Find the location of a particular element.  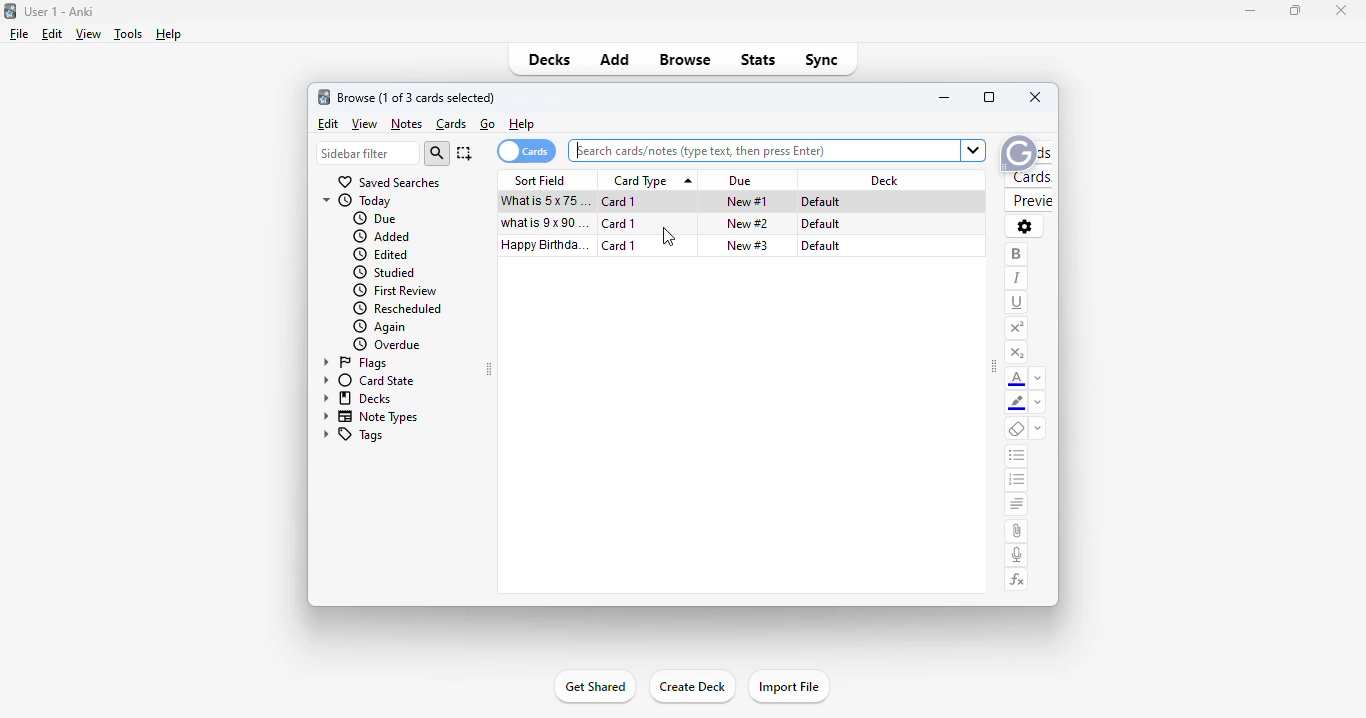

remove color is located at coordinates (1038, 404).